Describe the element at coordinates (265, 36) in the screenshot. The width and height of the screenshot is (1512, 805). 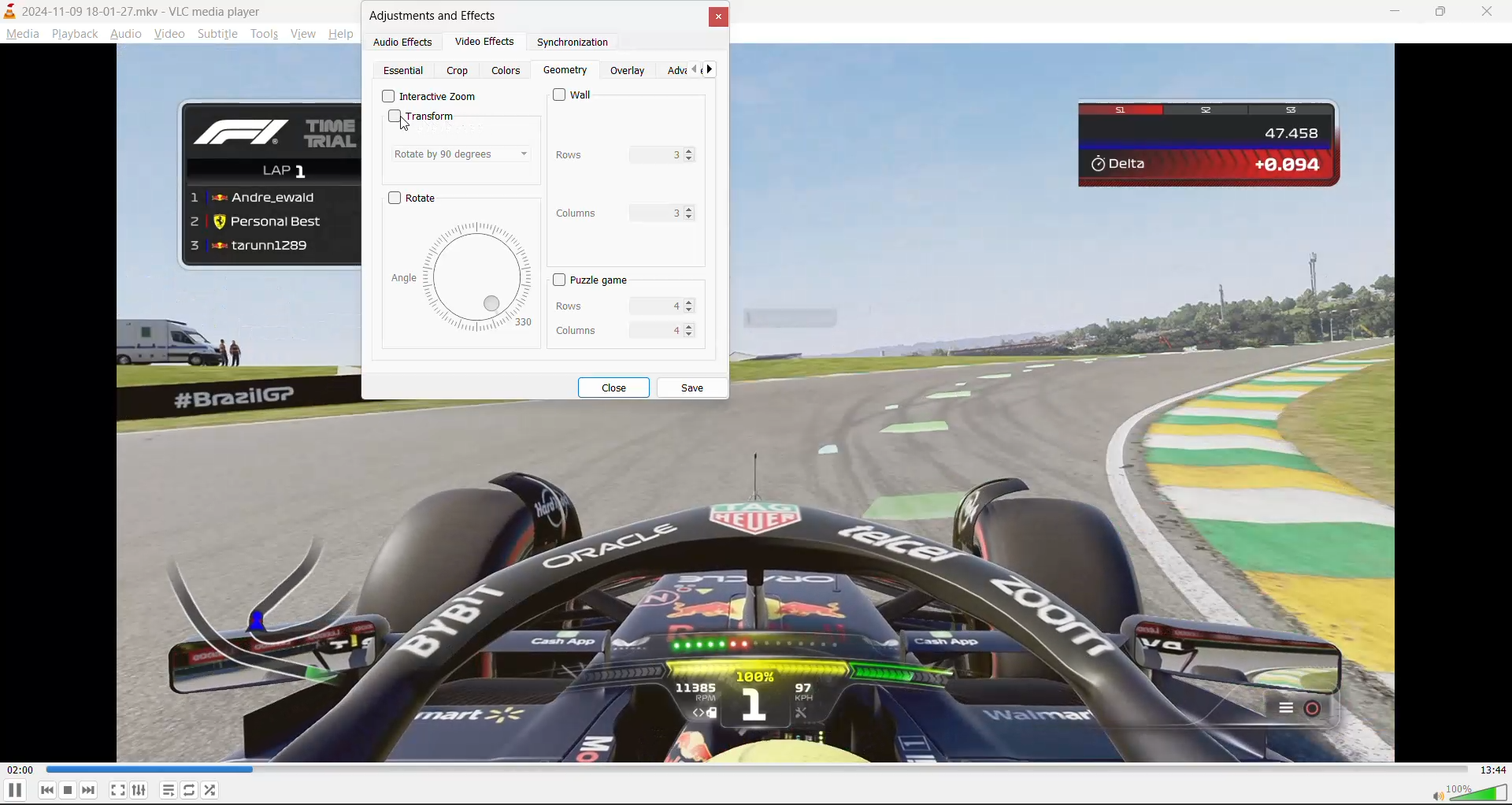
I see `tools` at that location.